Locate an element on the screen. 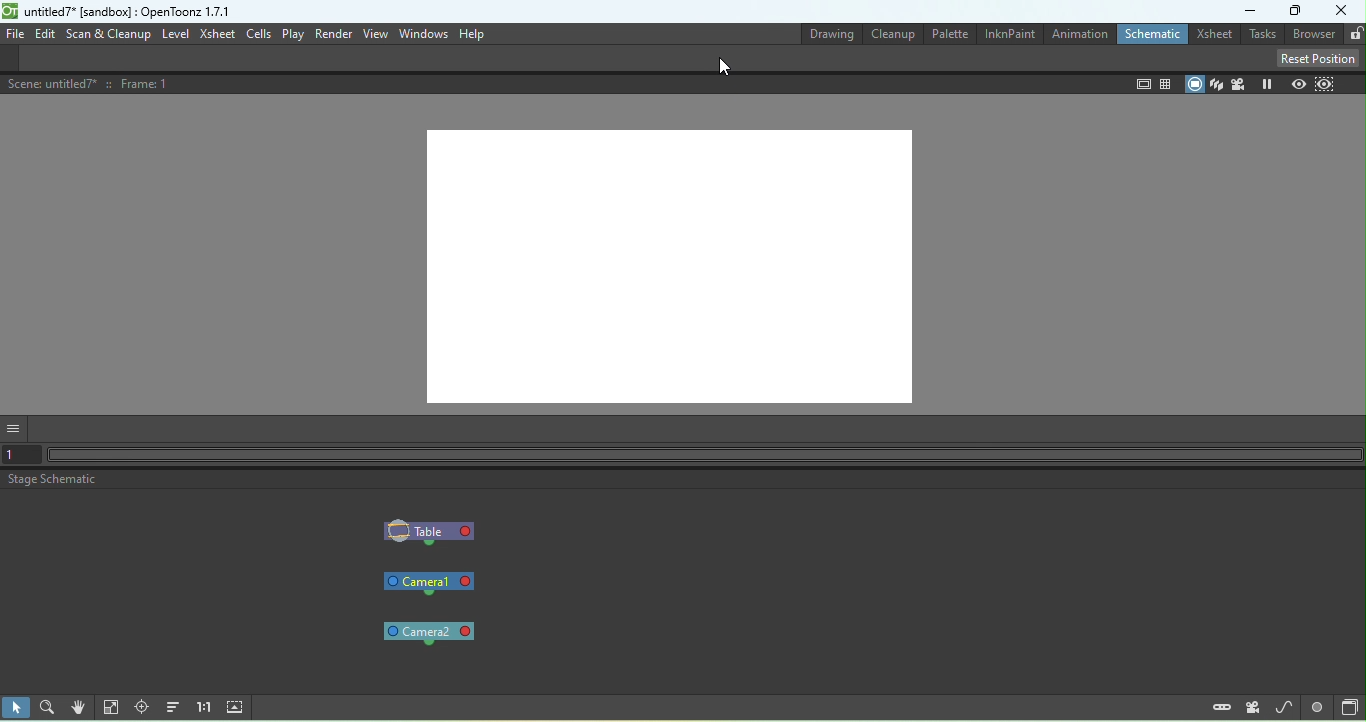 This screenshot has height=722, width=1366. Table is located at coordinates (430, 533).